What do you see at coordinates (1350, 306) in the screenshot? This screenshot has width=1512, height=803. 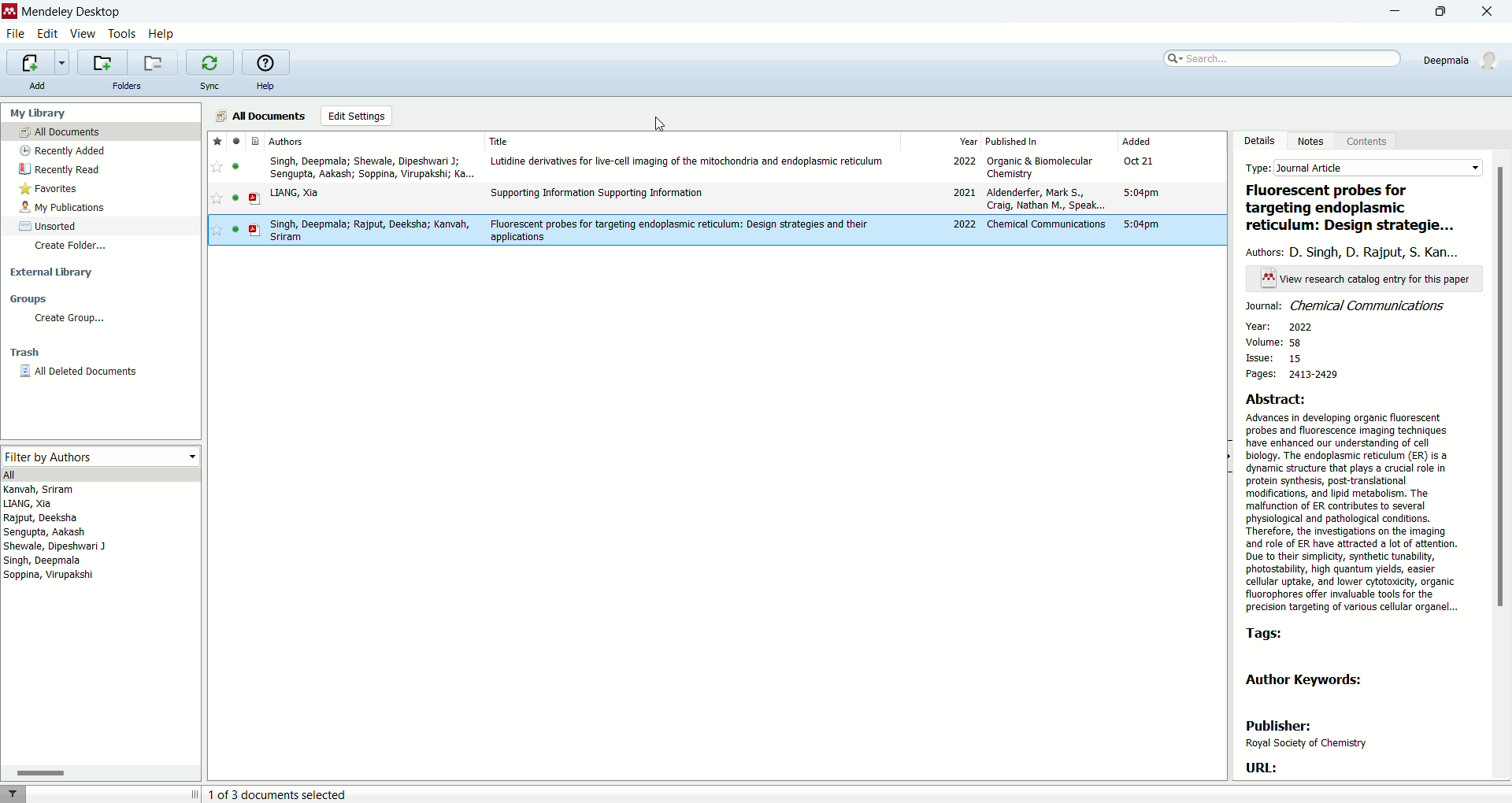 I see `journal name` at bounding box center [1350, 306].